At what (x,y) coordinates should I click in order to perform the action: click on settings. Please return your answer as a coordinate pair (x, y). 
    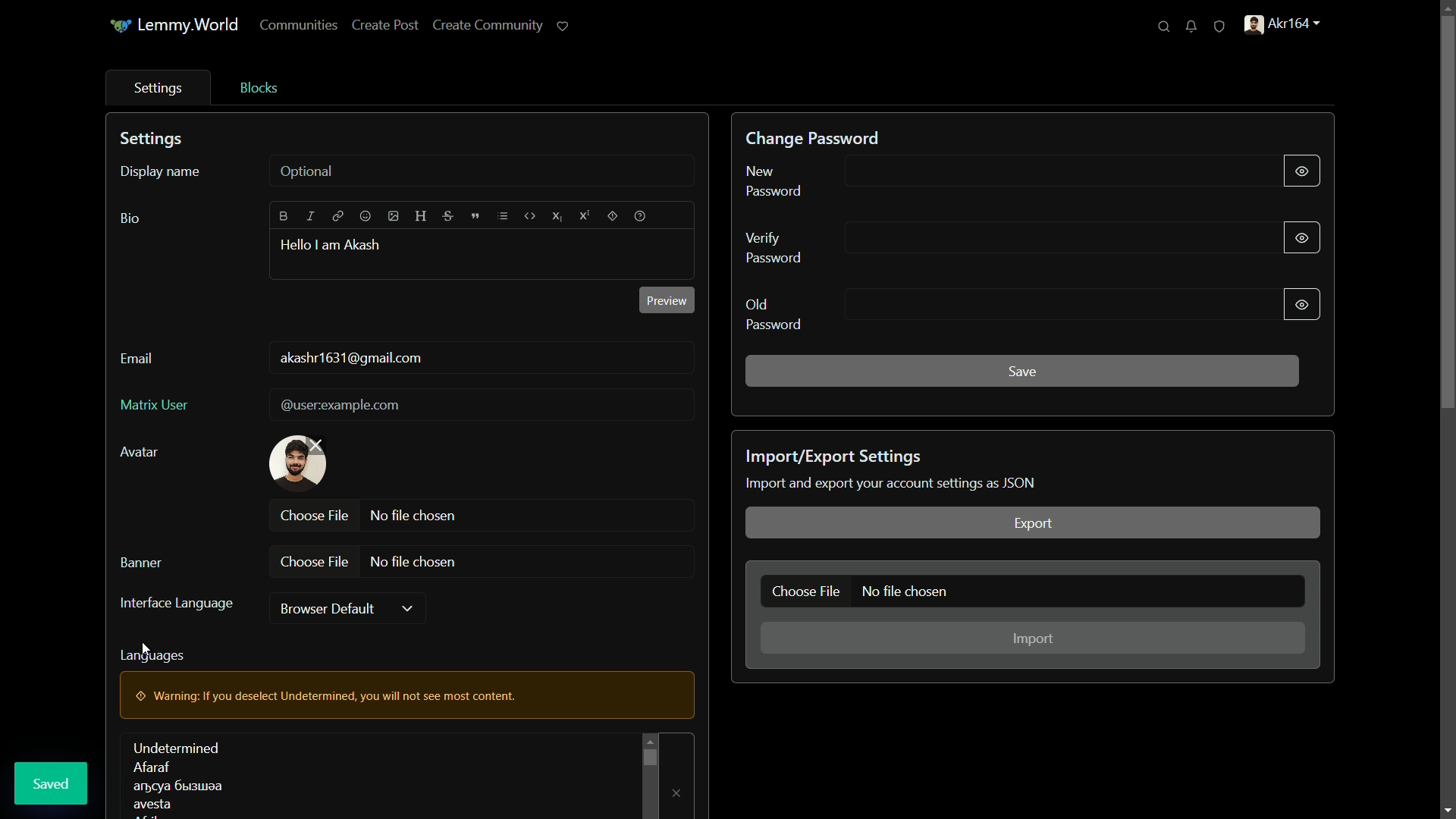
    Looking at the image, I should click on (154, 140).